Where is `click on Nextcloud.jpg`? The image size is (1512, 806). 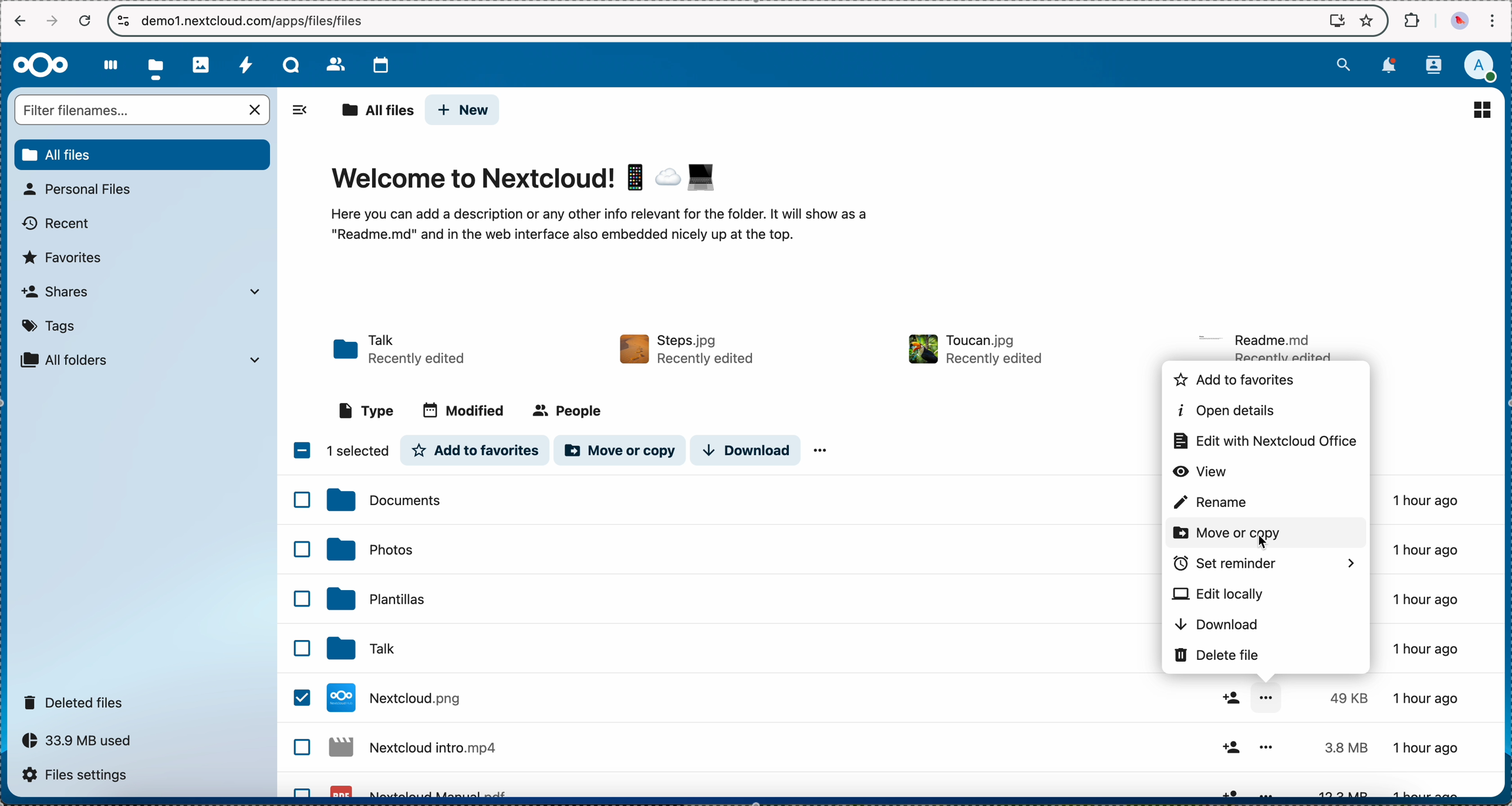
click on Nextcloud.jpg is located at coordinates (740, 649).